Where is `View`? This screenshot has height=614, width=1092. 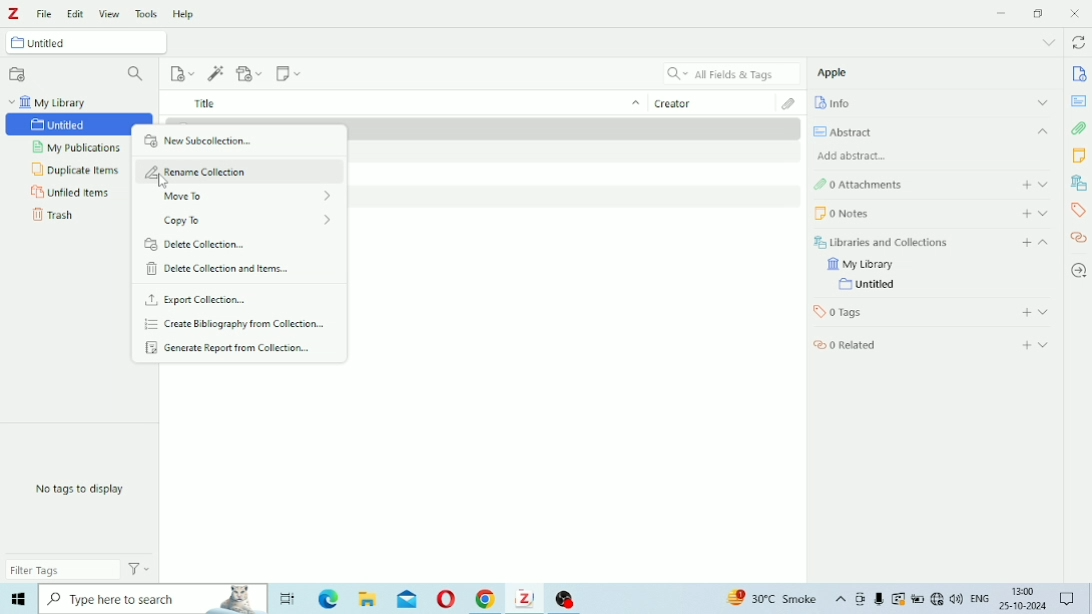
View is located at coordinates (109, 13).